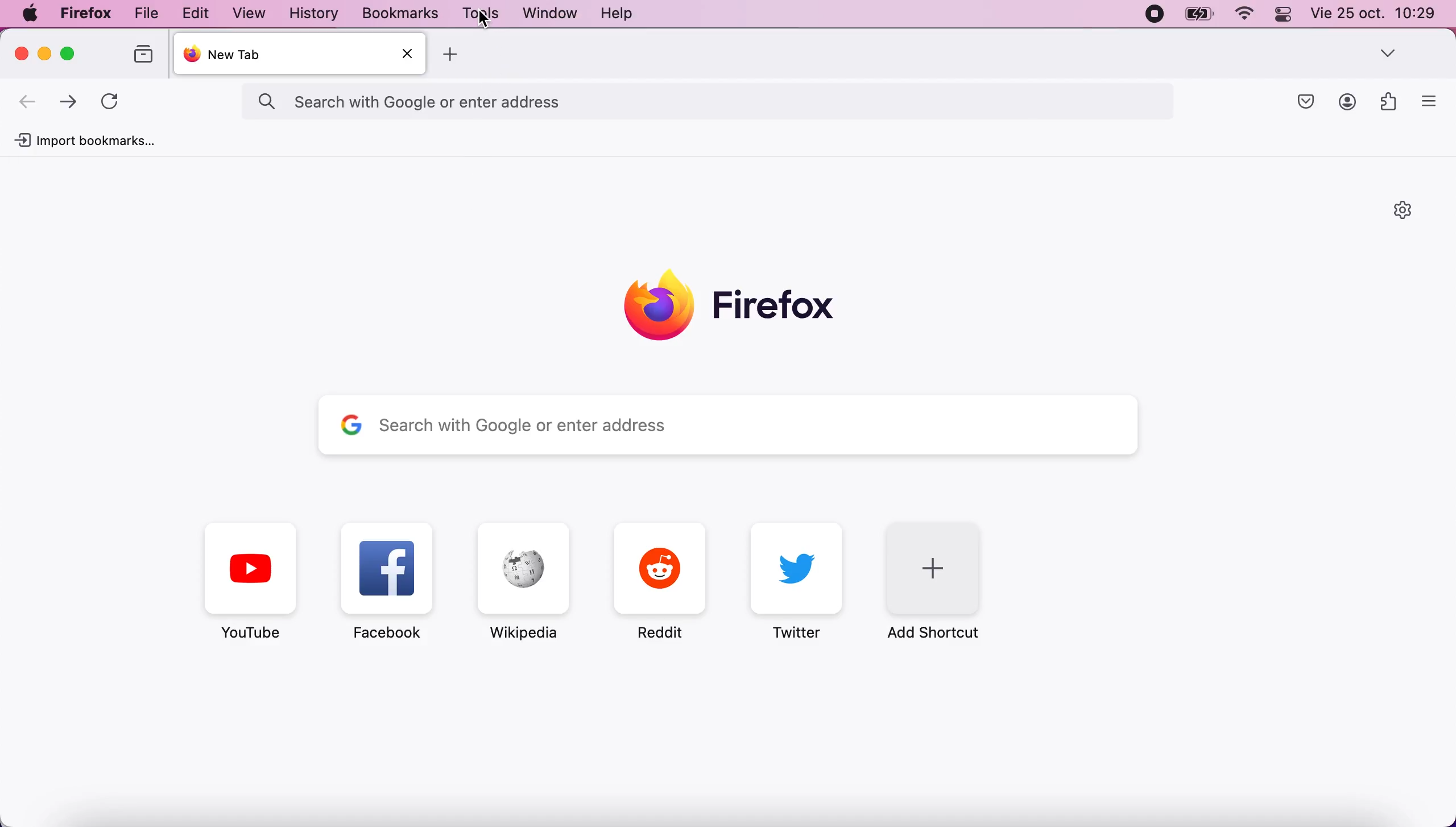 The width and height of the screenshot is (1456, 827). Describe the element at coordinates (707, 104) in the screenshot. I see `Search bar` at that location.